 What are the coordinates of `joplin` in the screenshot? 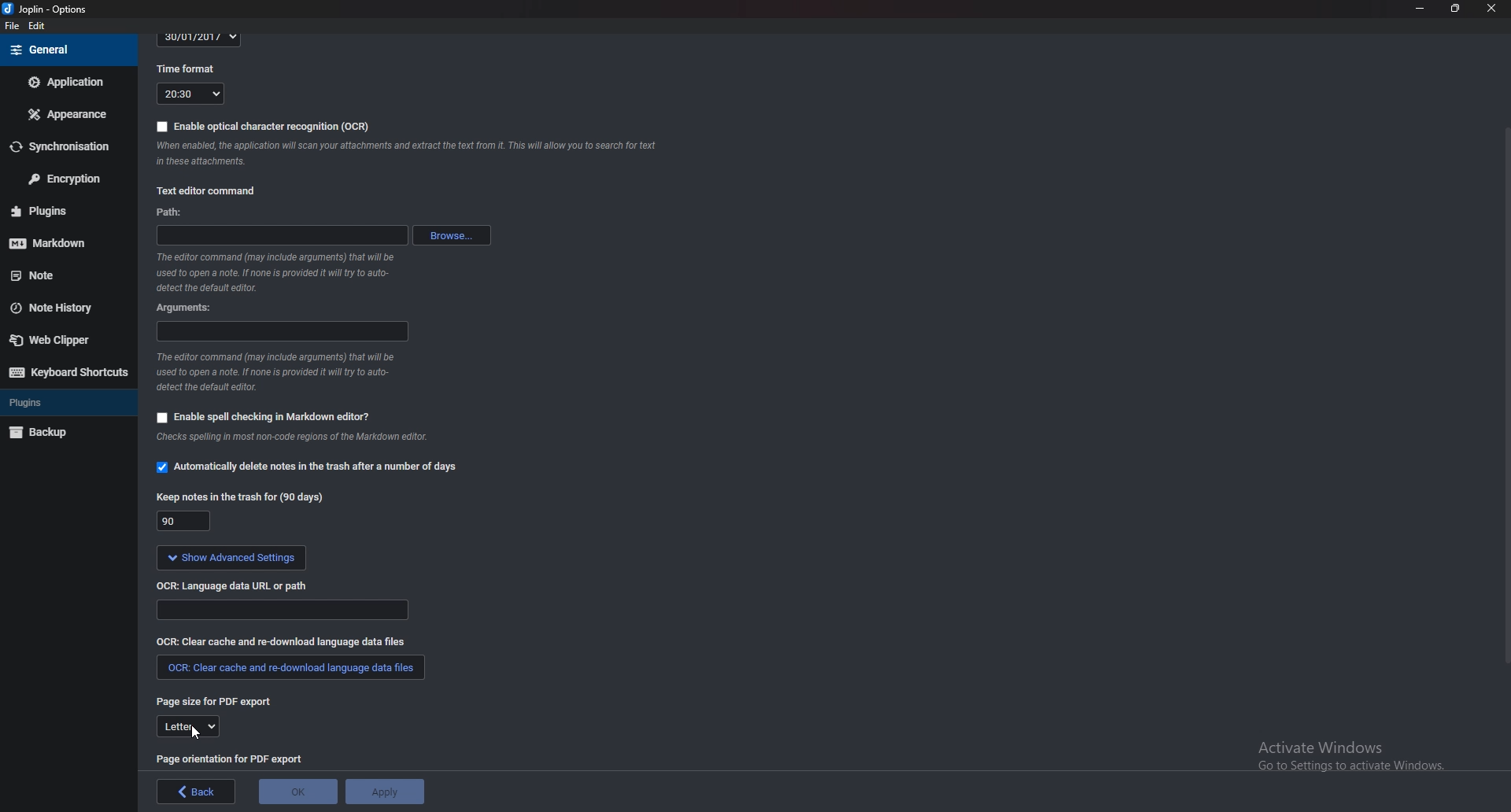 It's located at (48, 9).